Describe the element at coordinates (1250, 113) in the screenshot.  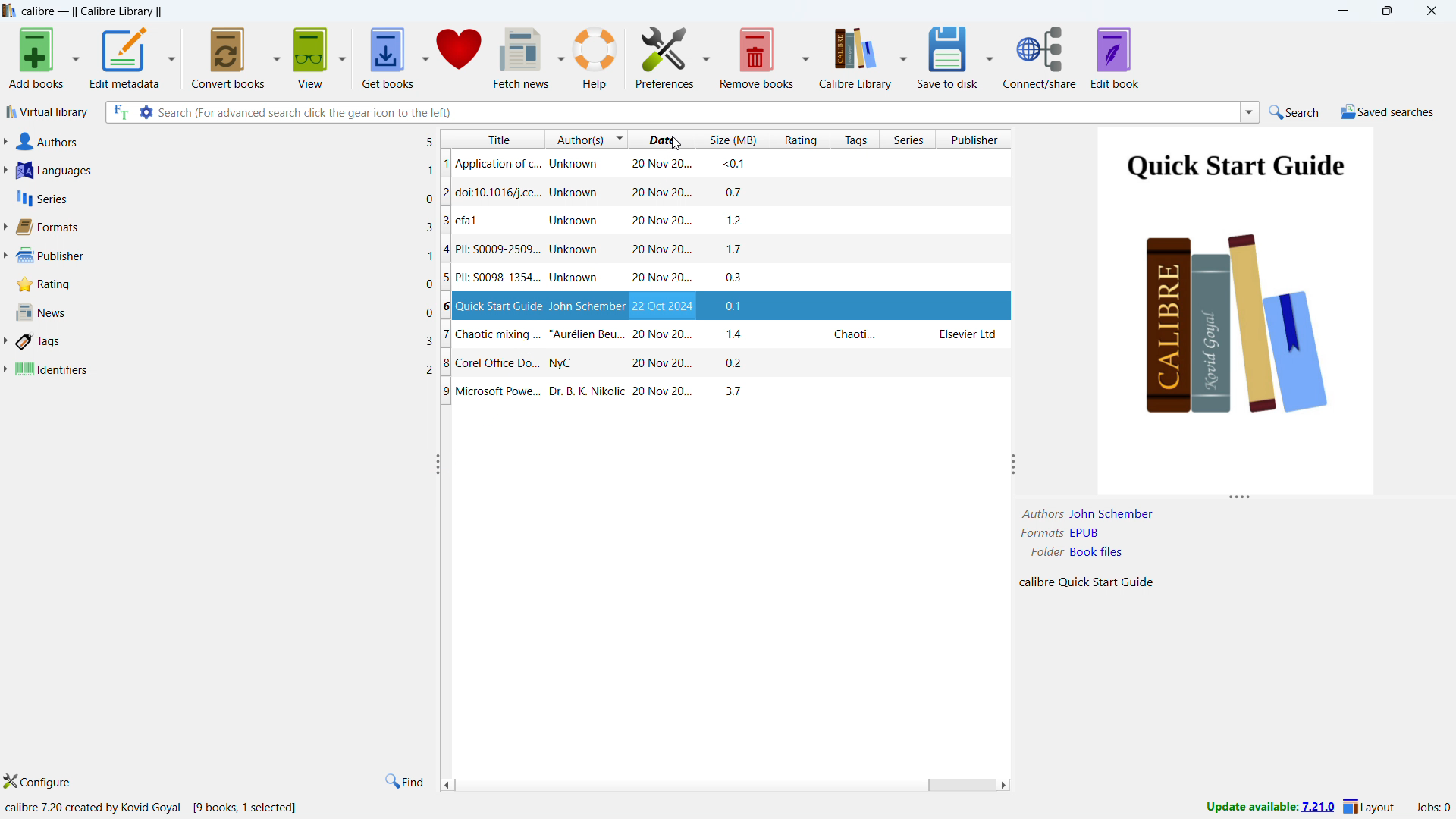
I see `search history` at that location.